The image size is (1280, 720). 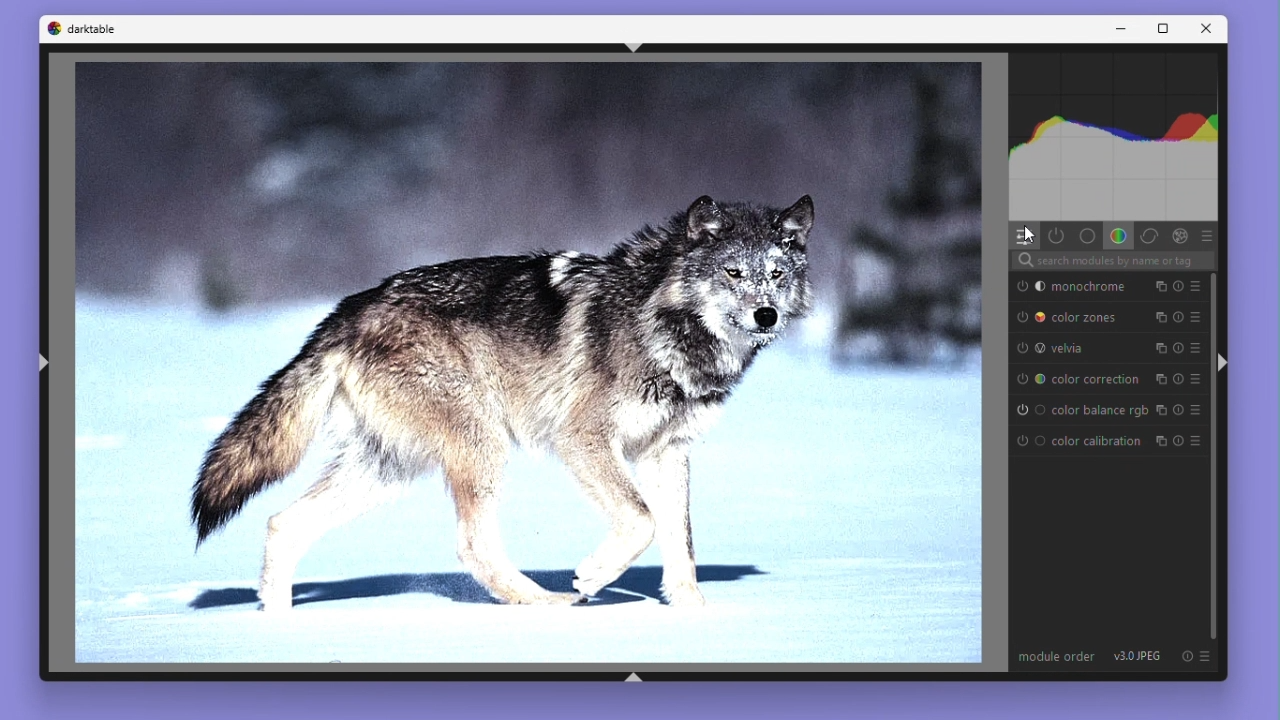 What do you see at coordinates (1179, 348) in the screenshot?
I see `reset` at bounding box center [1179, 348].